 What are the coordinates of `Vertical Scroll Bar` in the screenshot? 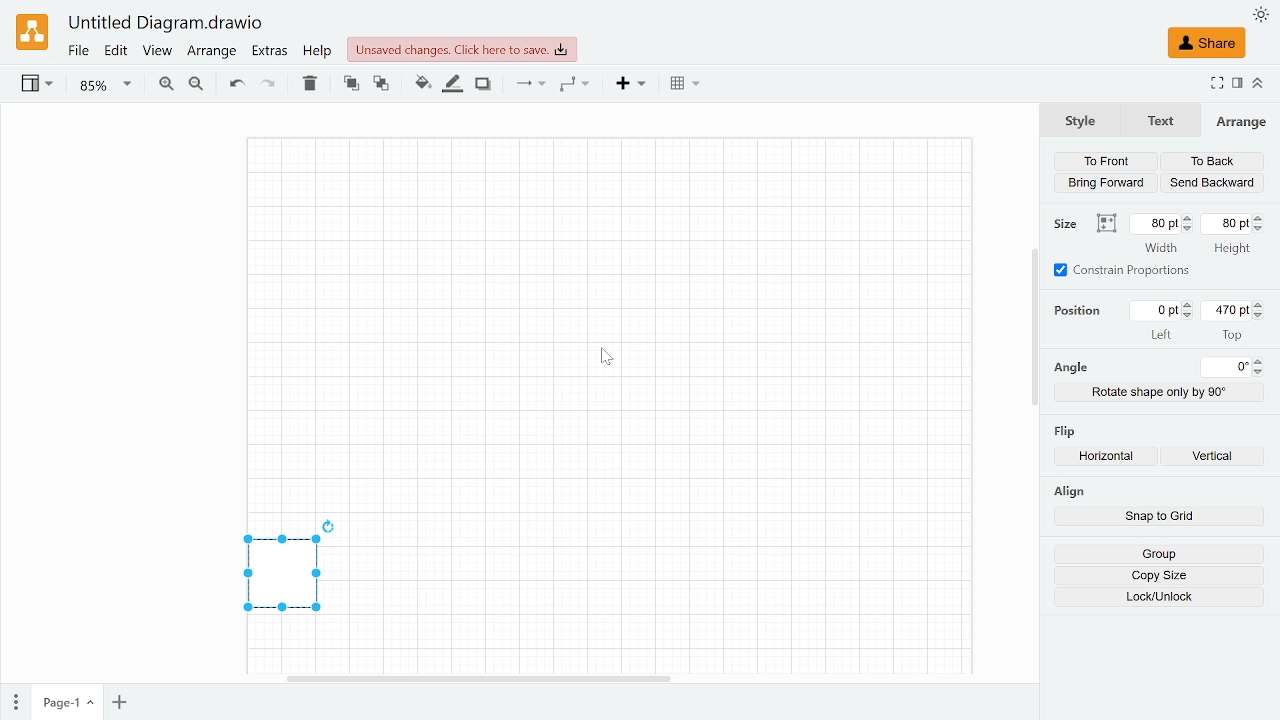 It's located at (1031, 326).